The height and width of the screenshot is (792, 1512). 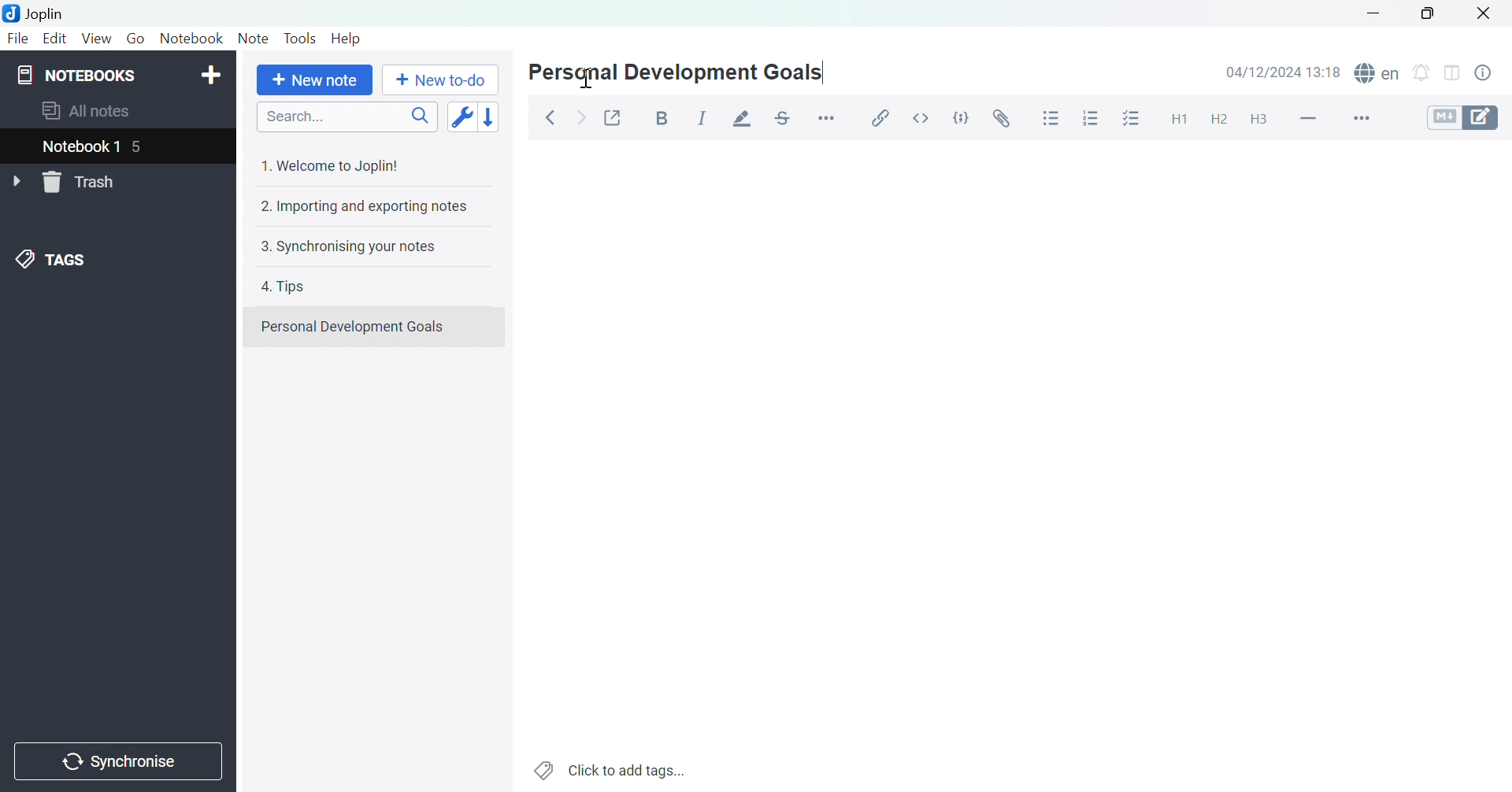 What do you see at coordinates (580, 116) in the screenshot?
I see `Forward` at bounding box center [580, 116].